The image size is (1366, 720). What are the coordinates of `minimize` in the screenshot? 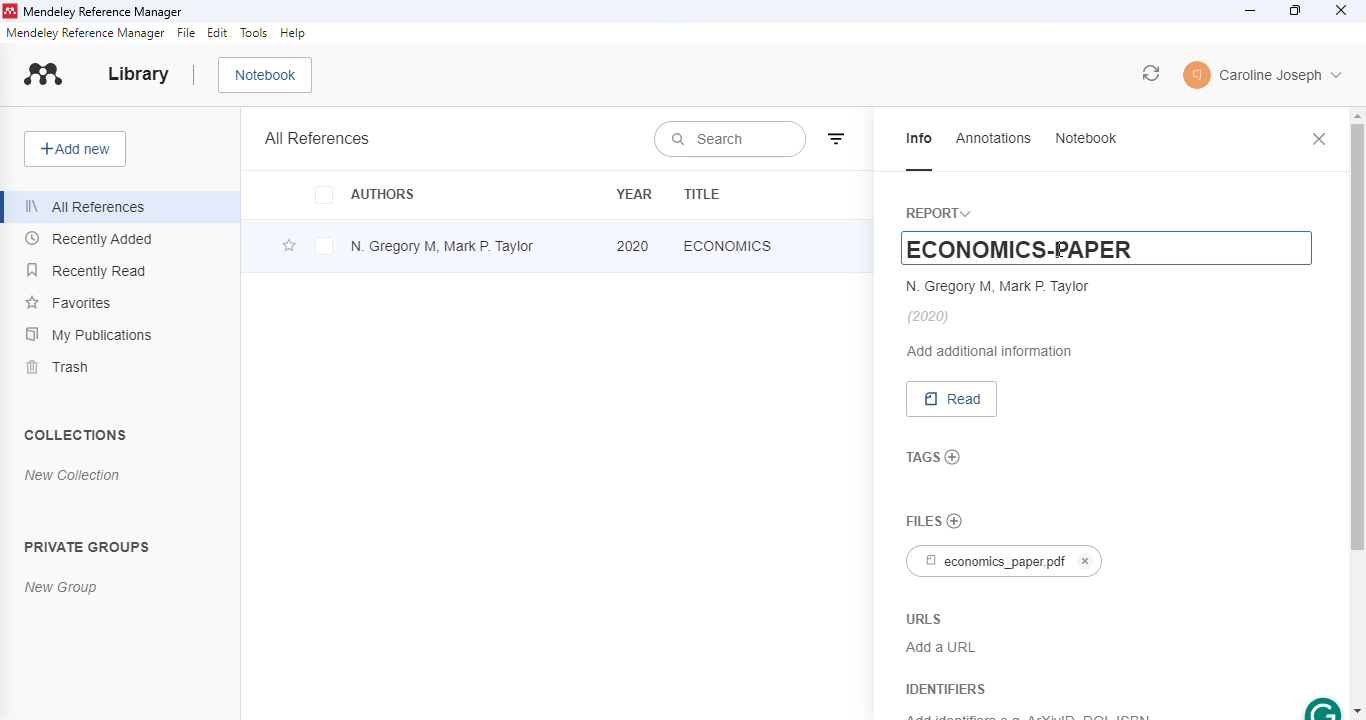 It's located at (1252, 11).